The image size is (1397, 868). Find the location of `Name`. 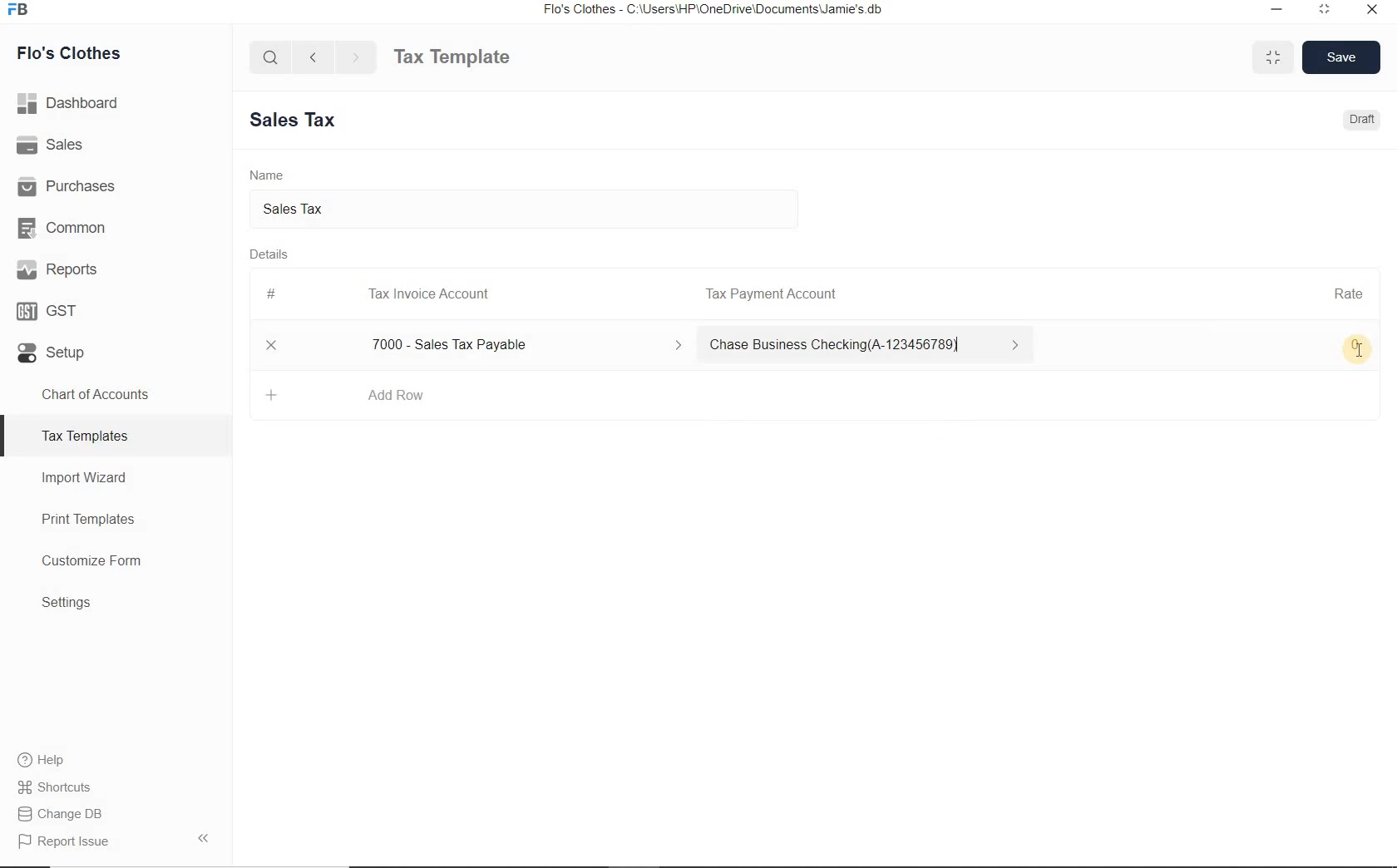

Name is located at coordinates (263, 174).